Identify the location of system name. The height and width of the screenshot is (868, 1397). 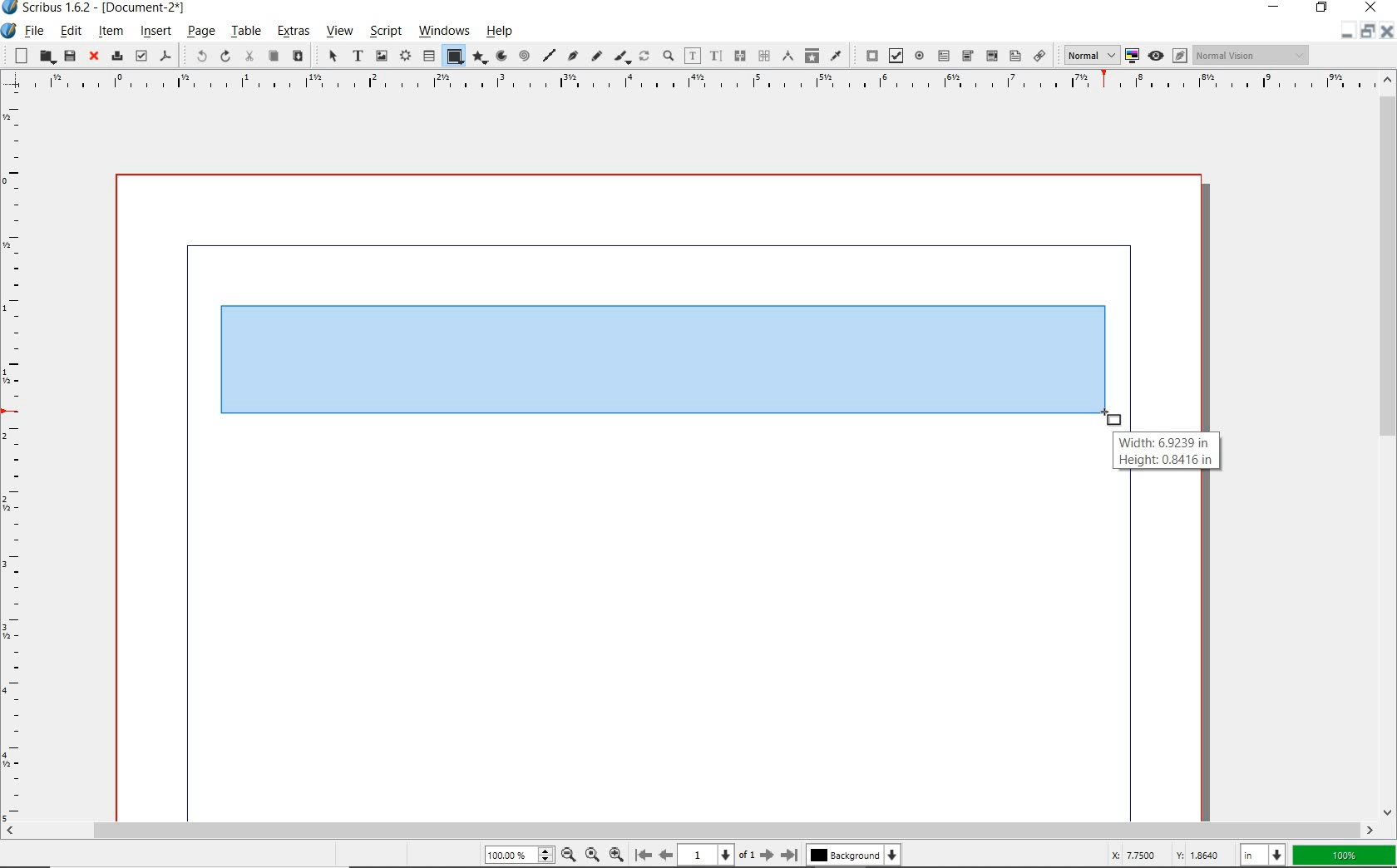
(96, 7).